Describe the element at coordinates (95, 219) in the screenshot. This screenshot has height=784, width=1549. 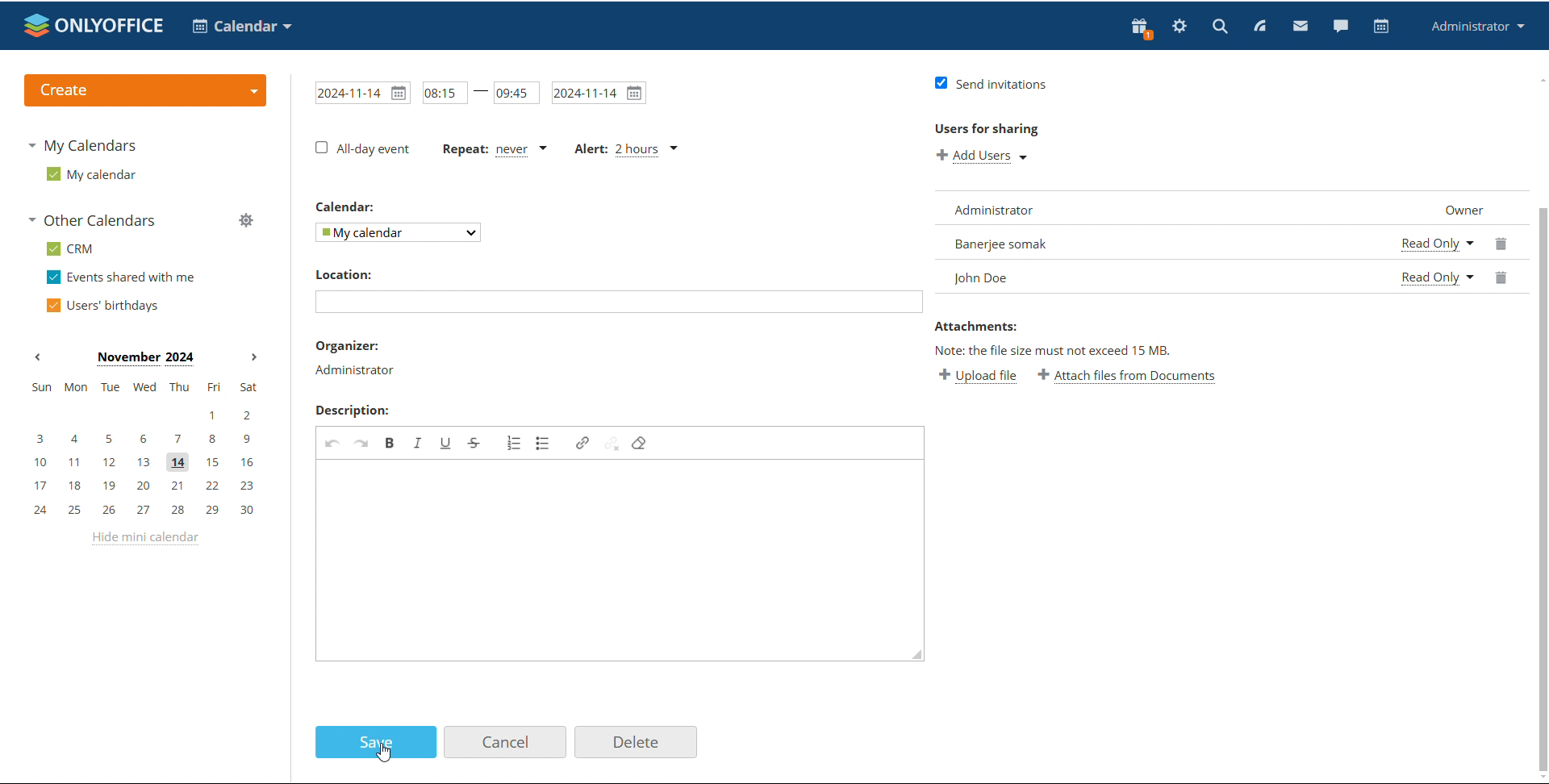
I see `other calendars` at that location.